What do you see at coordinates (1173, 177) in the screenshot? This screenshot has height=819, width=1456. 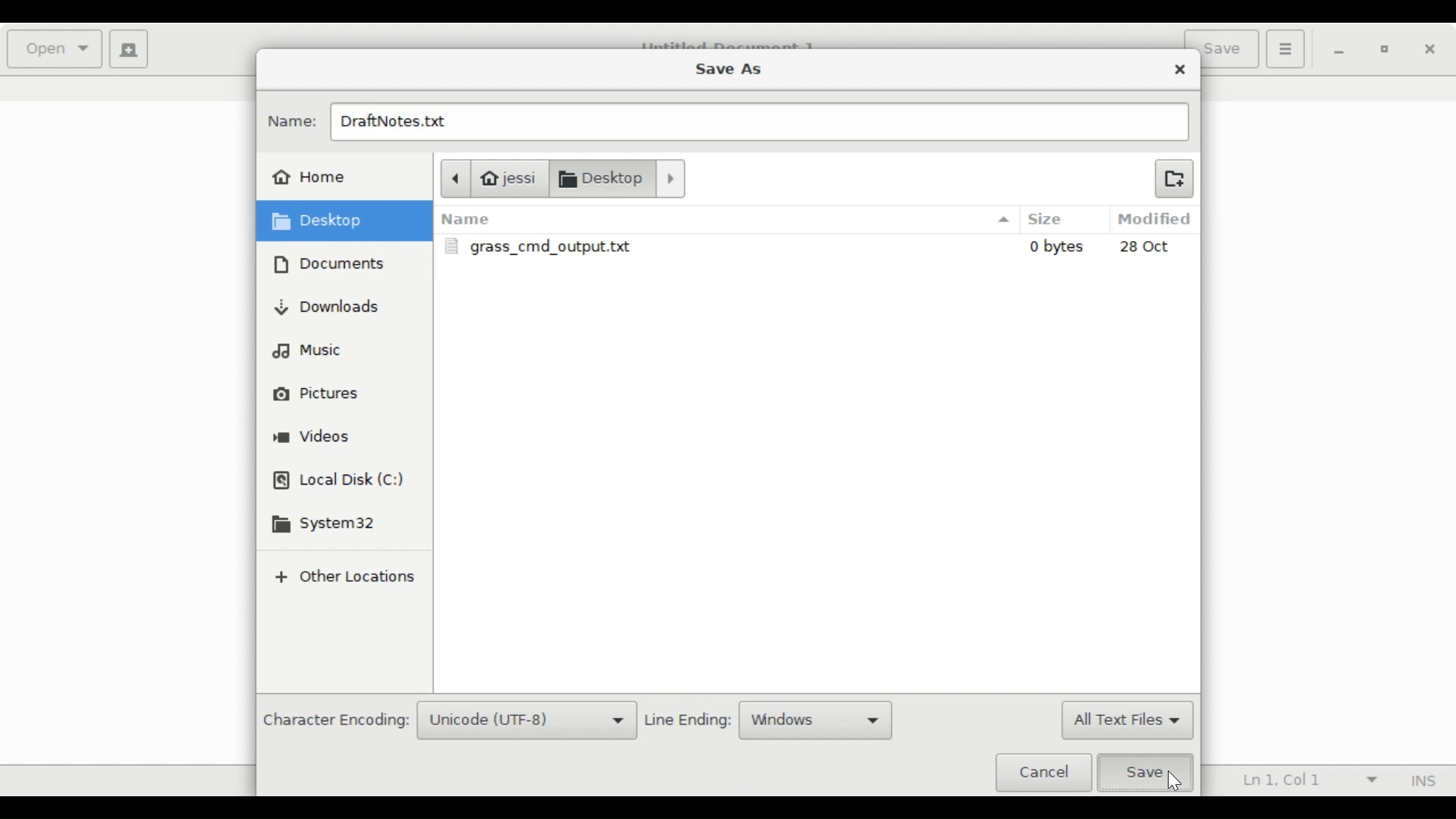 I see `Create new Folder` at bounding box center [1173, 177].